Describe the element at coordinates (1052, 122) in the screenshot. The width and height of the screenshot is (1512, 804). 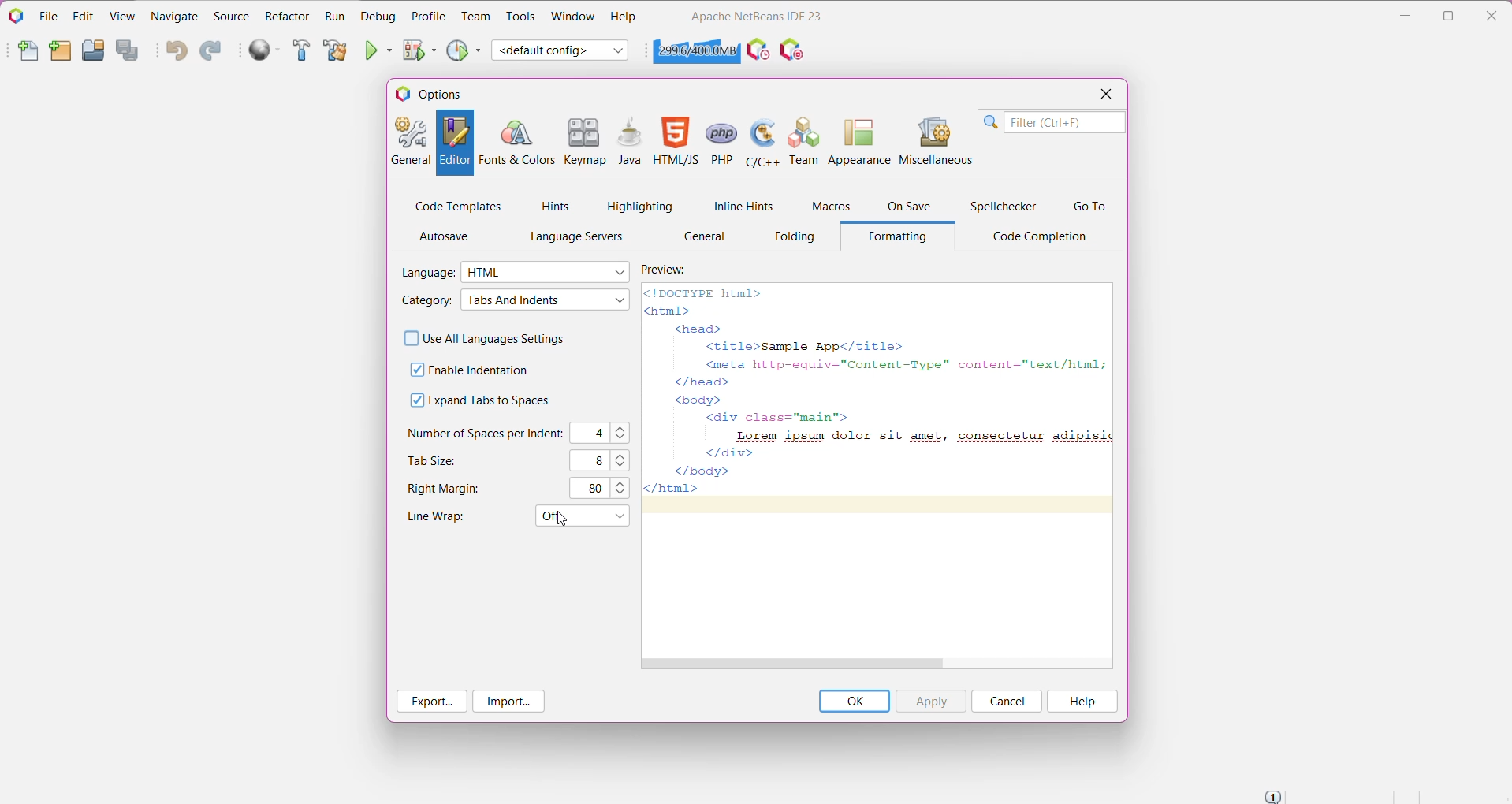
I see `Search Bar` at that location.